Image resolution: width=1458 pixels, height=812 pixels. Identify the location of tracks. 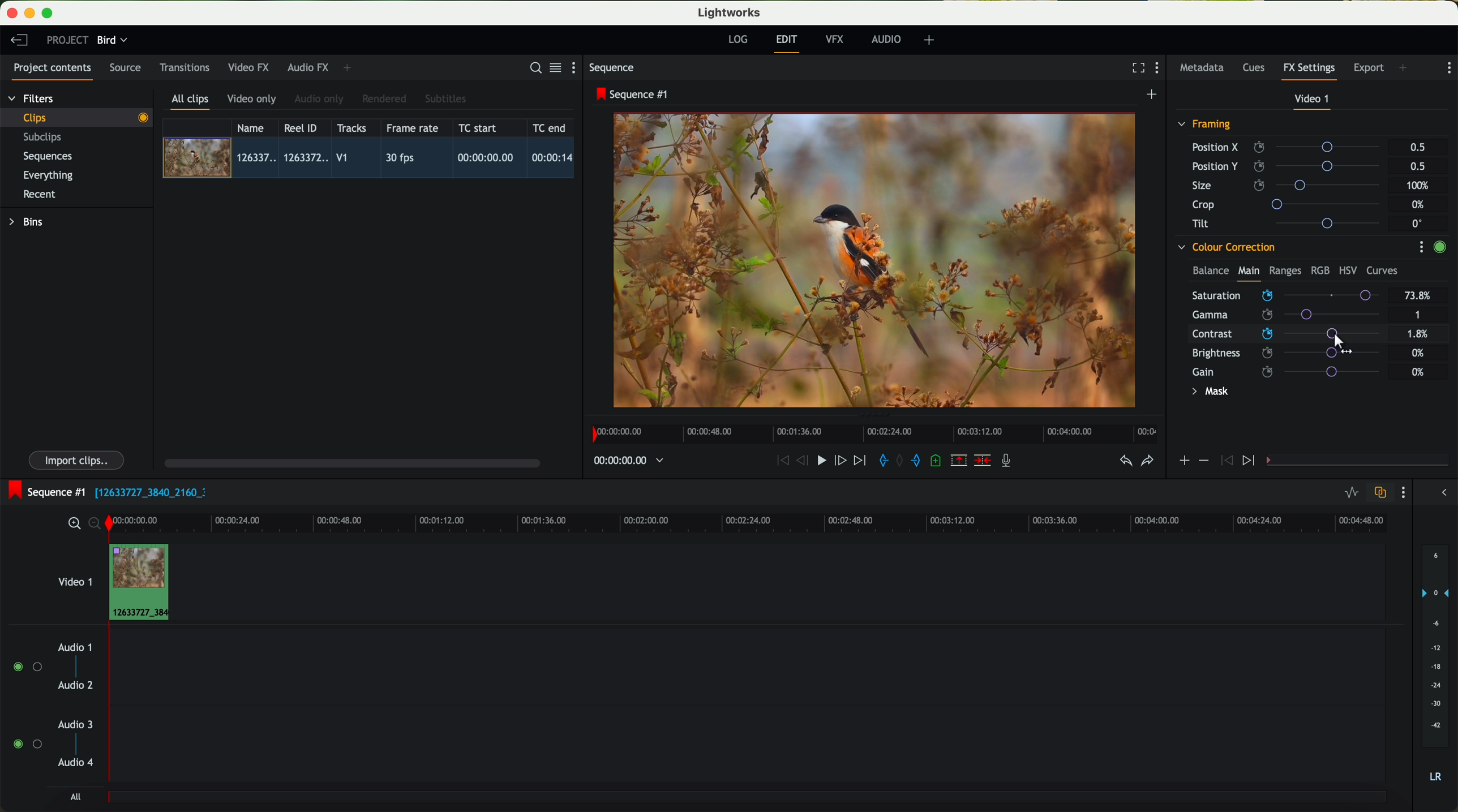
(350, 128).